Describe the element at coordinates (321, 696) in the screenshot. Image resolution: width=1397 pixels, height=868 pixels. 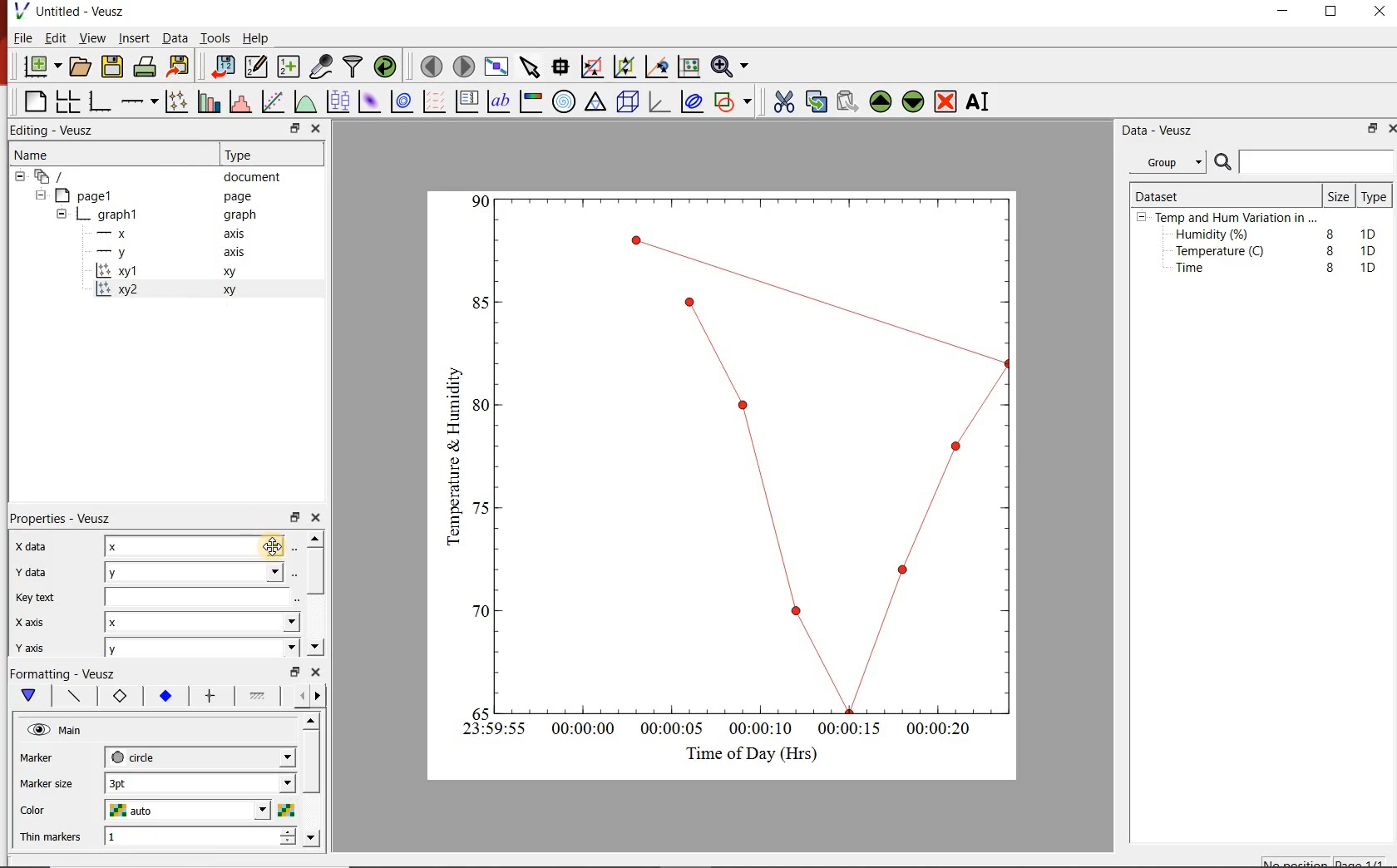
I see `go forward` at that location.